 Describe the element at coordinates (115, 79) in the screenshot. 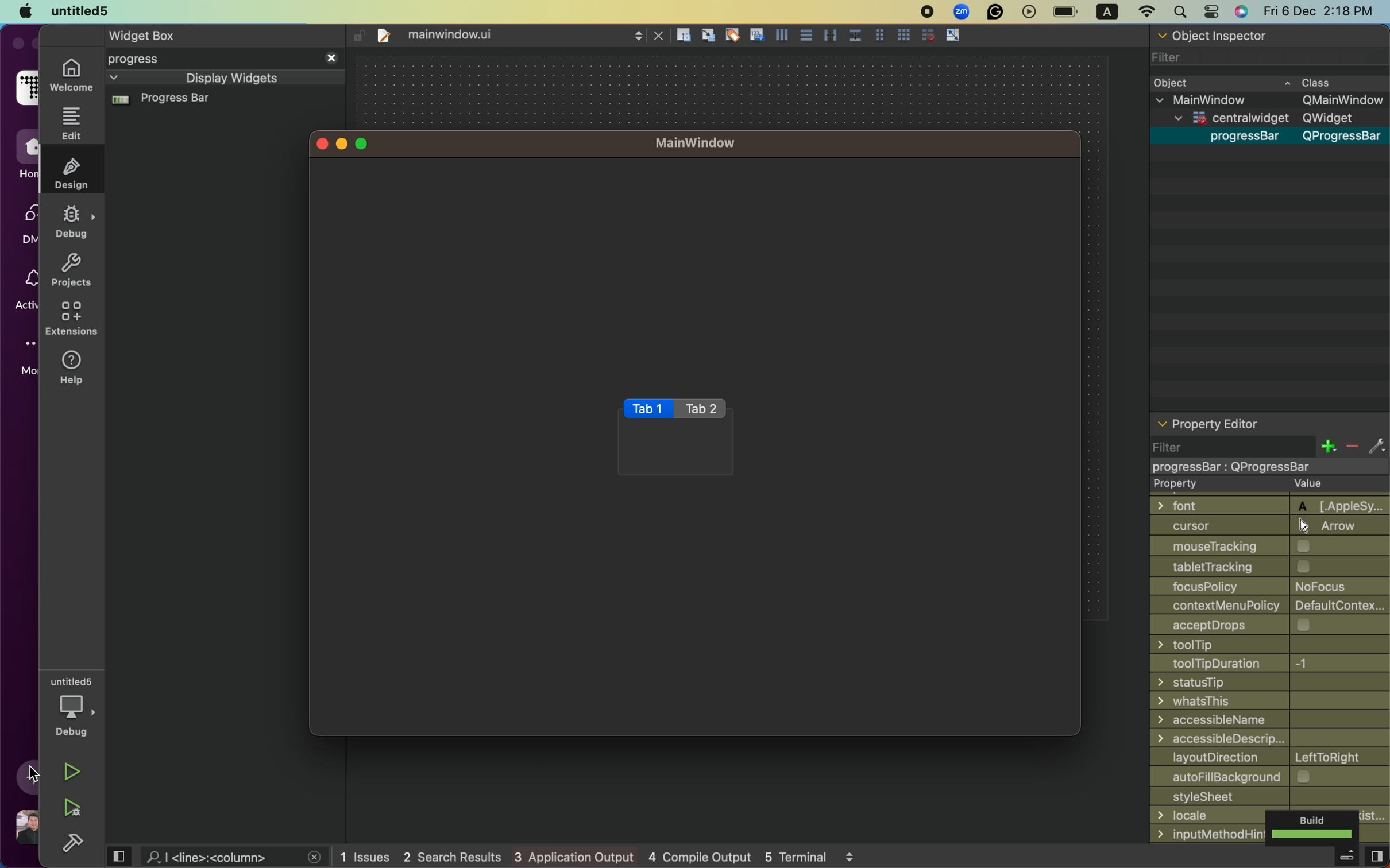

I see `down` at that location.